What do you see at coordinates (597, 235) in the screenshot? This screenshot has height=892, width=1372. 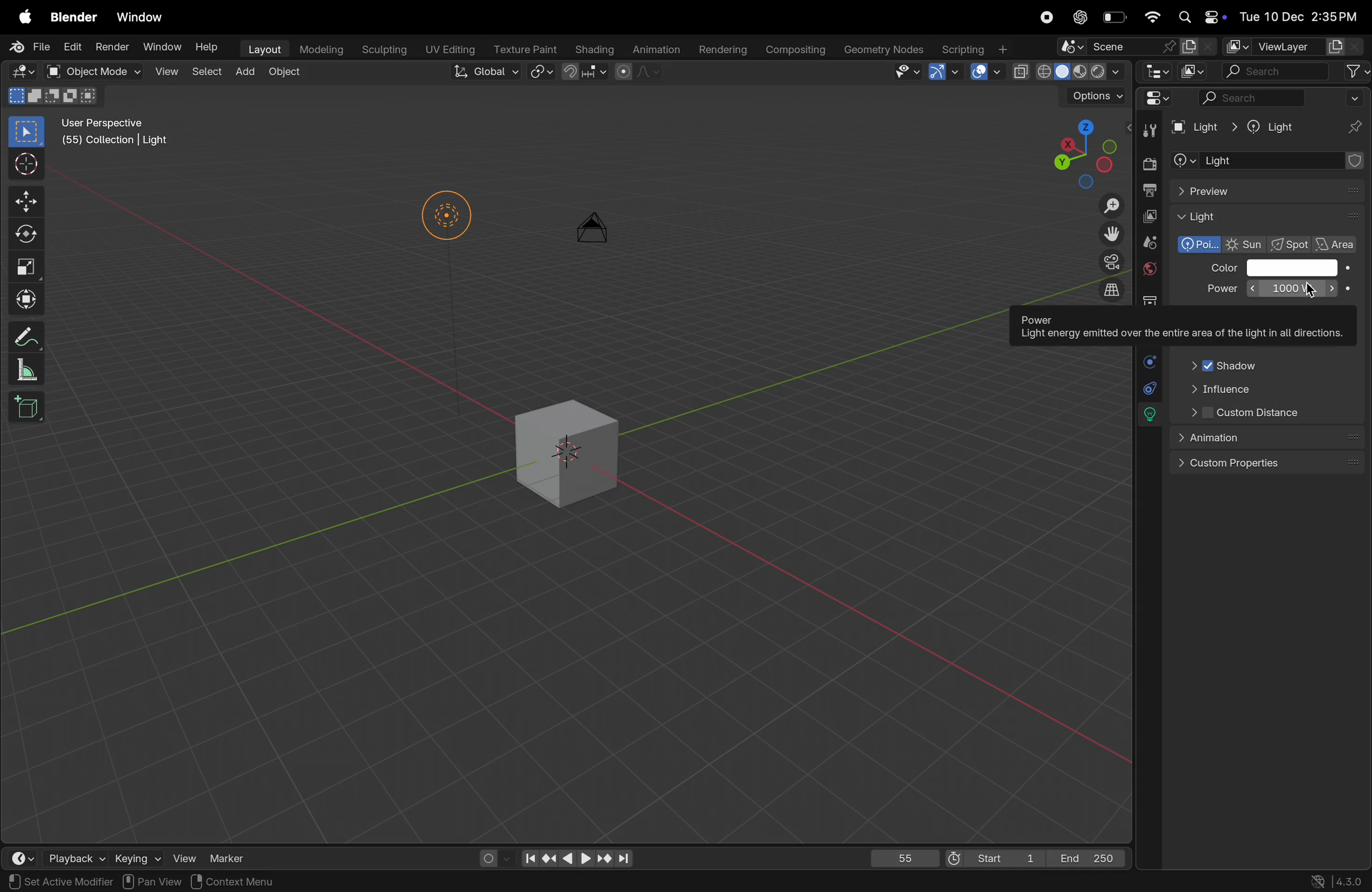 I see `camera` at bounding box center [597, 235].